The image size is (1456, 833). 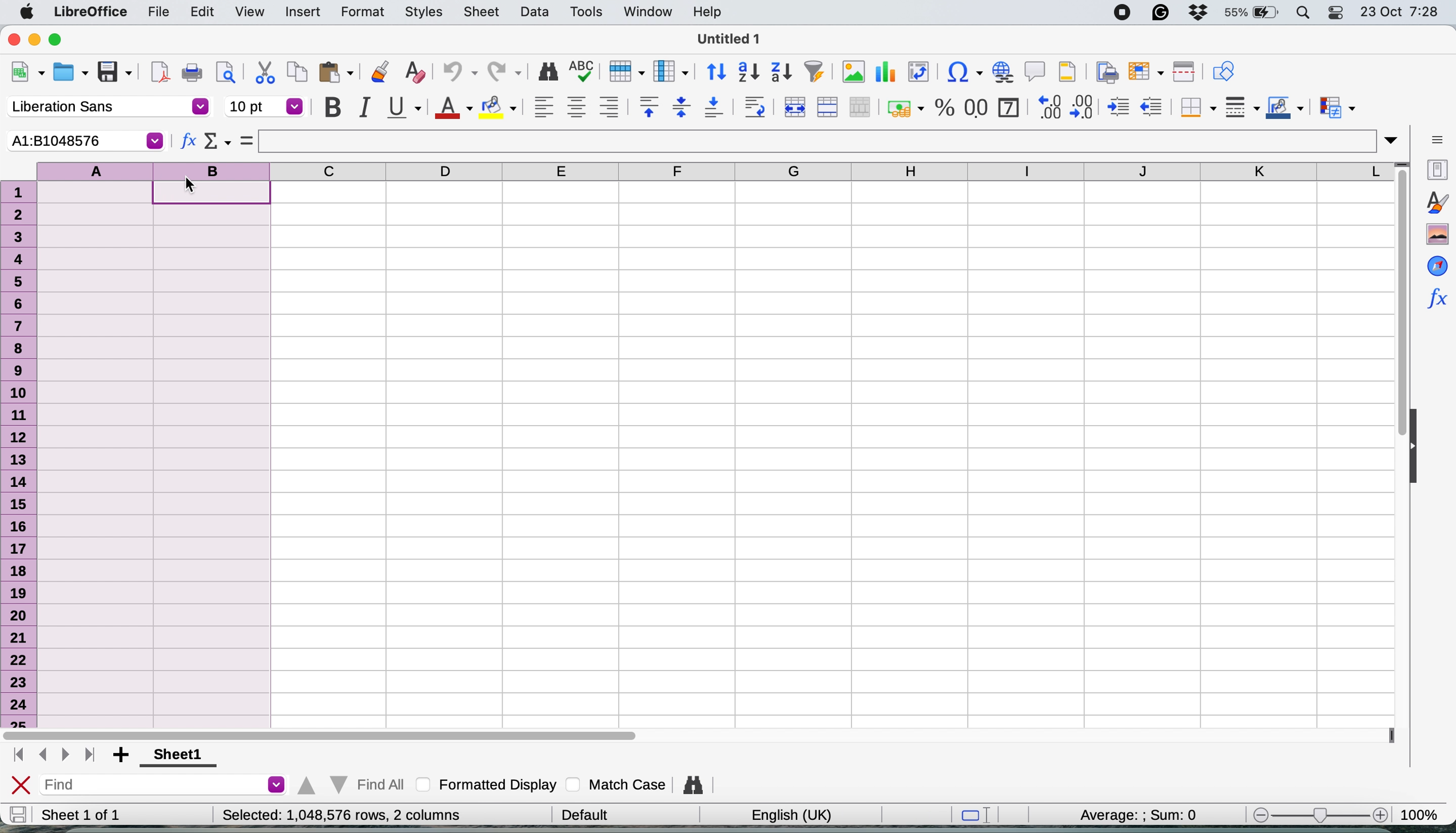 What do you see at coordinates (789, 816) in the screenshot?
I see `english uk` at bounding box center [789, 816].